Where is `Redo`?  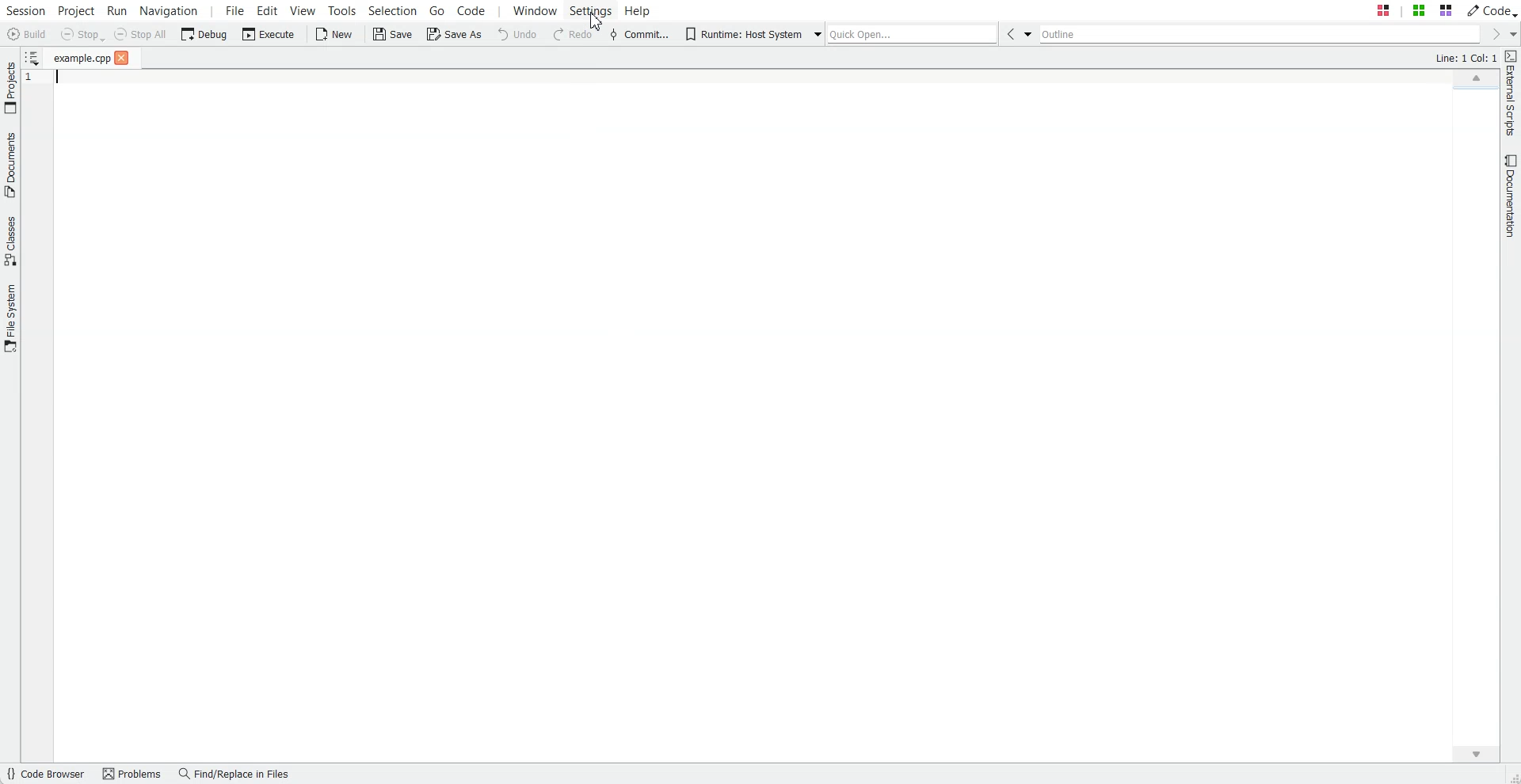 Redo is located at coordinates (574, 35).